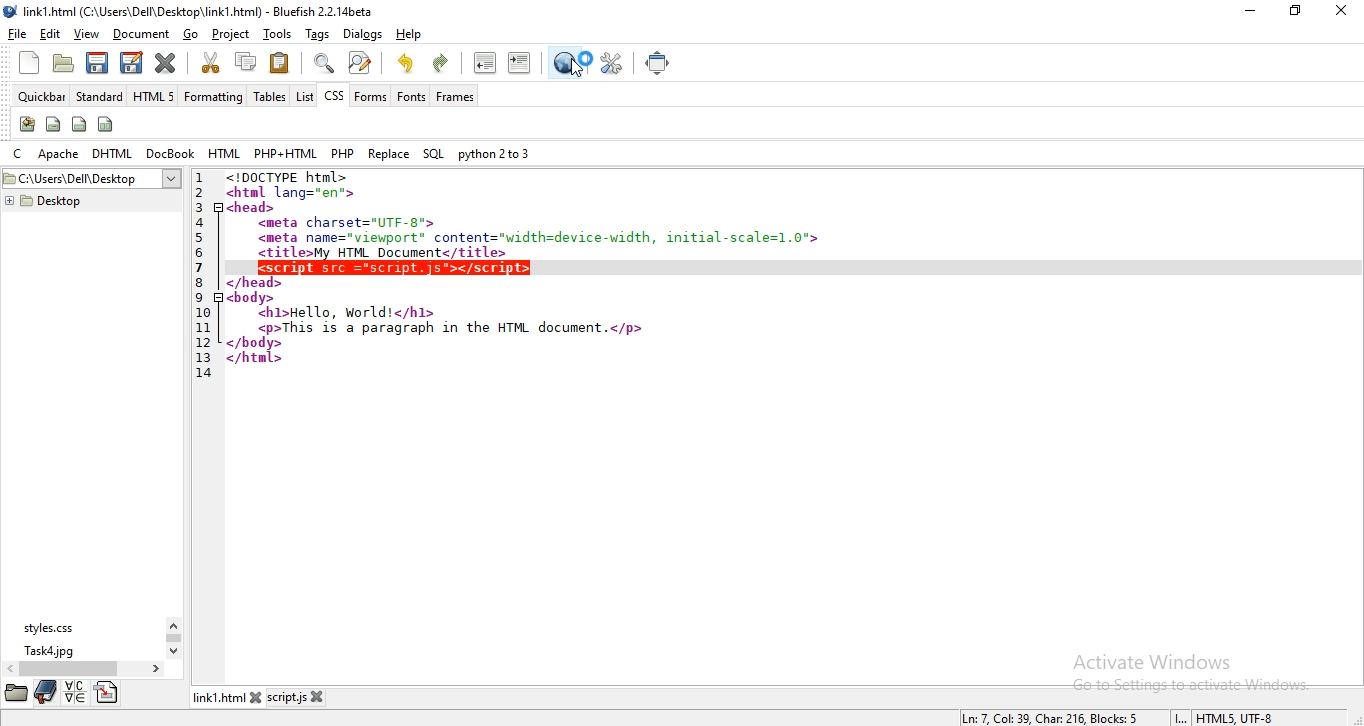 The height and width of the screenshot is (726, 1364). I want to click on create stylesheet, so click(27, 124).